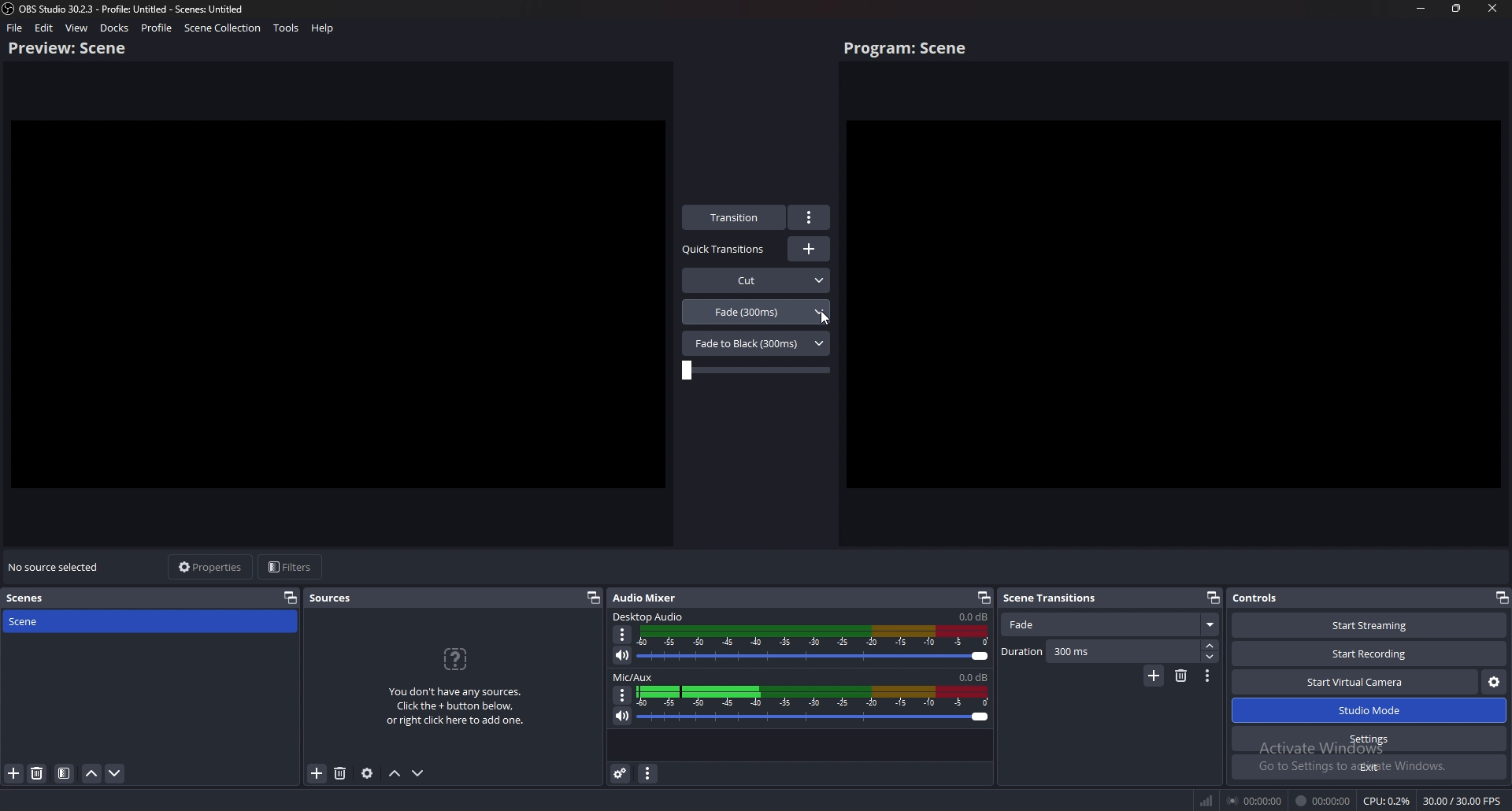  What do you see at coordinates (1369, 711) in the screenshot?
I see `Studio mode` at bounding box center [1369, 711].